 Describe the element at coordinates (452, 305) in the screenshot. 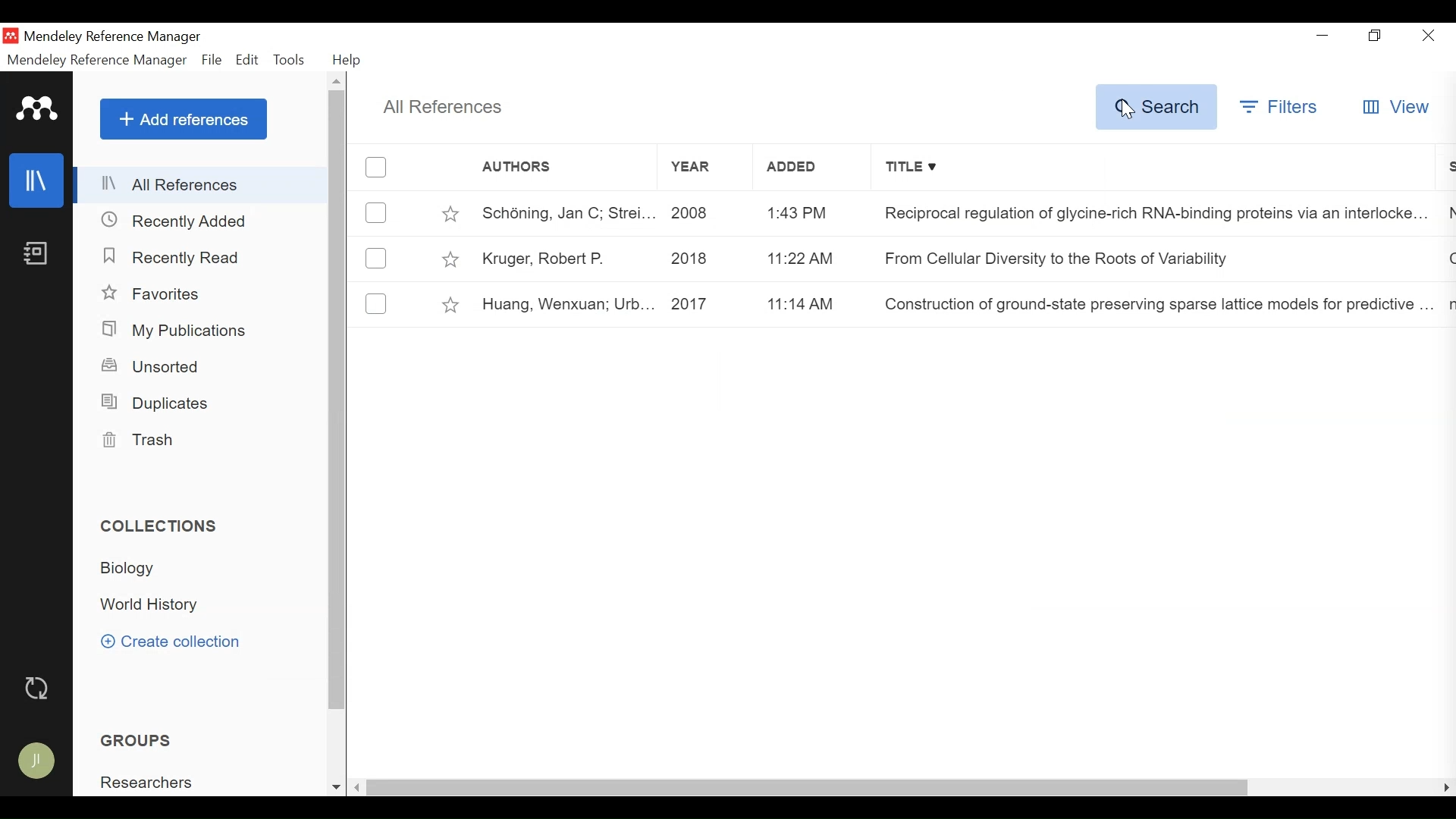

I see `Toggle Favorites` at that location.